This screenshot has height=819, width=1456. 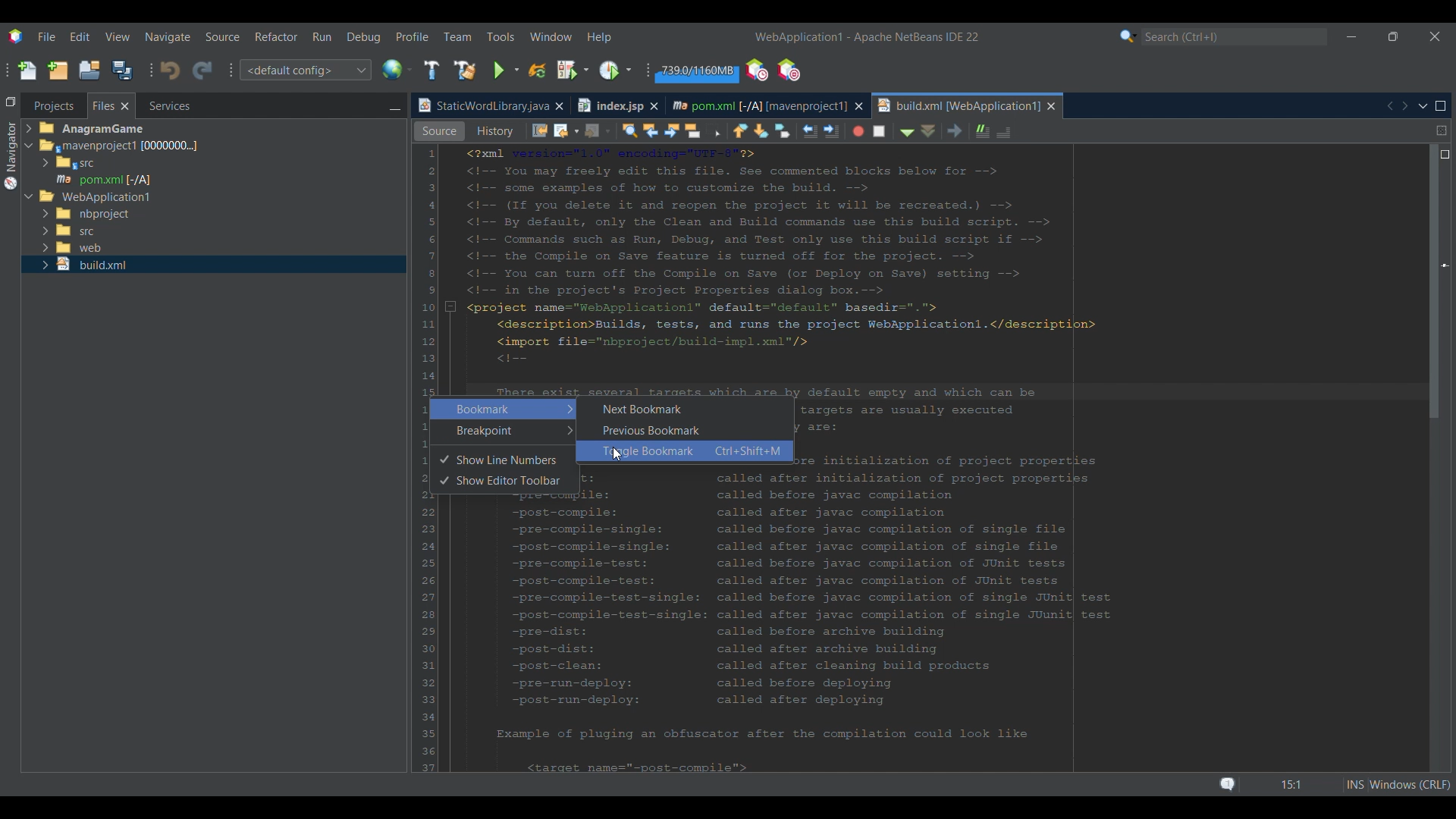 What do you see at coordinates (275, 36) in the screenshot?
I see `Refactor menu` at bounding box center [275, 36].